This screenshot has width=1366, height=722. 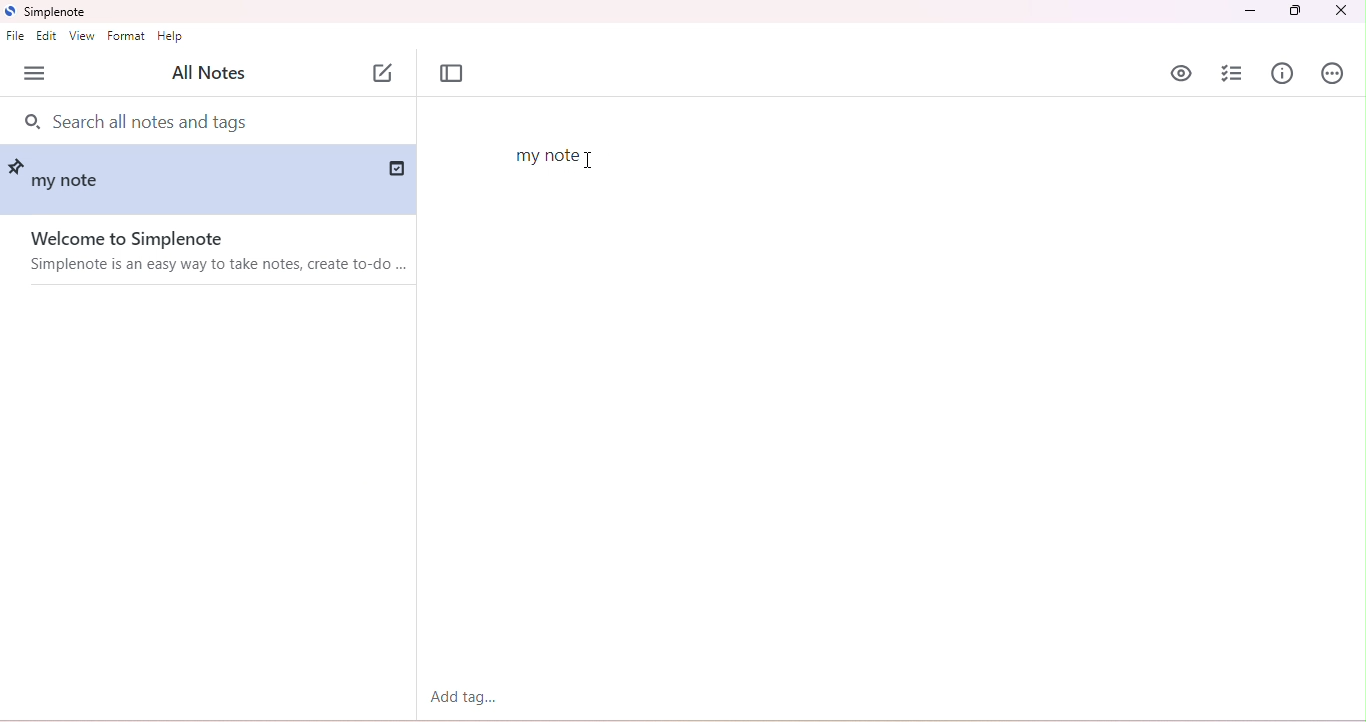 I want to click on actions, so click(x=1333, y=74).